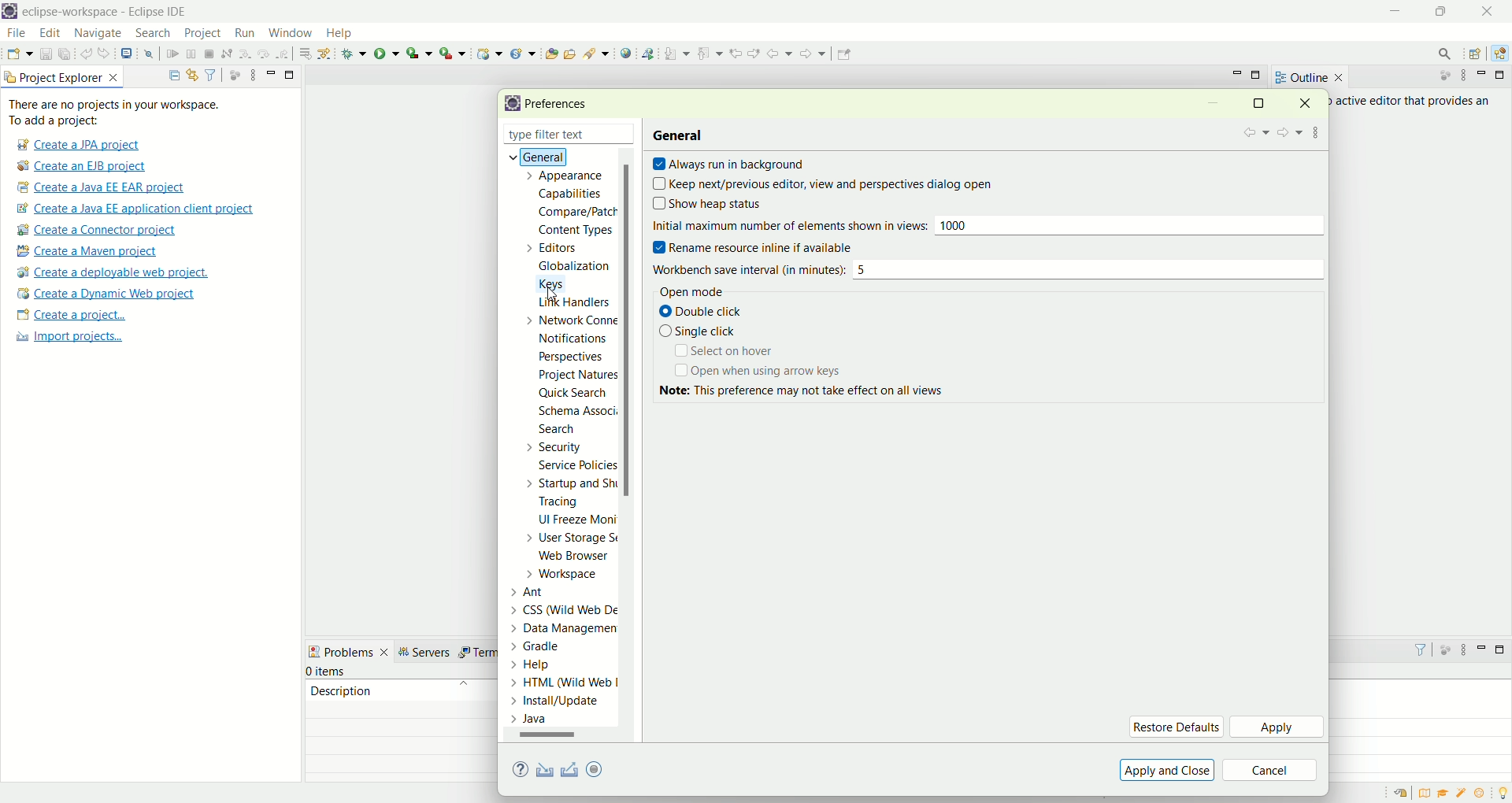 The height and width of the screenshot is (803, 1512). What do you see at coordinates (532, 156) in the screenshot?
I see `general` at bounding box center [532, 156].